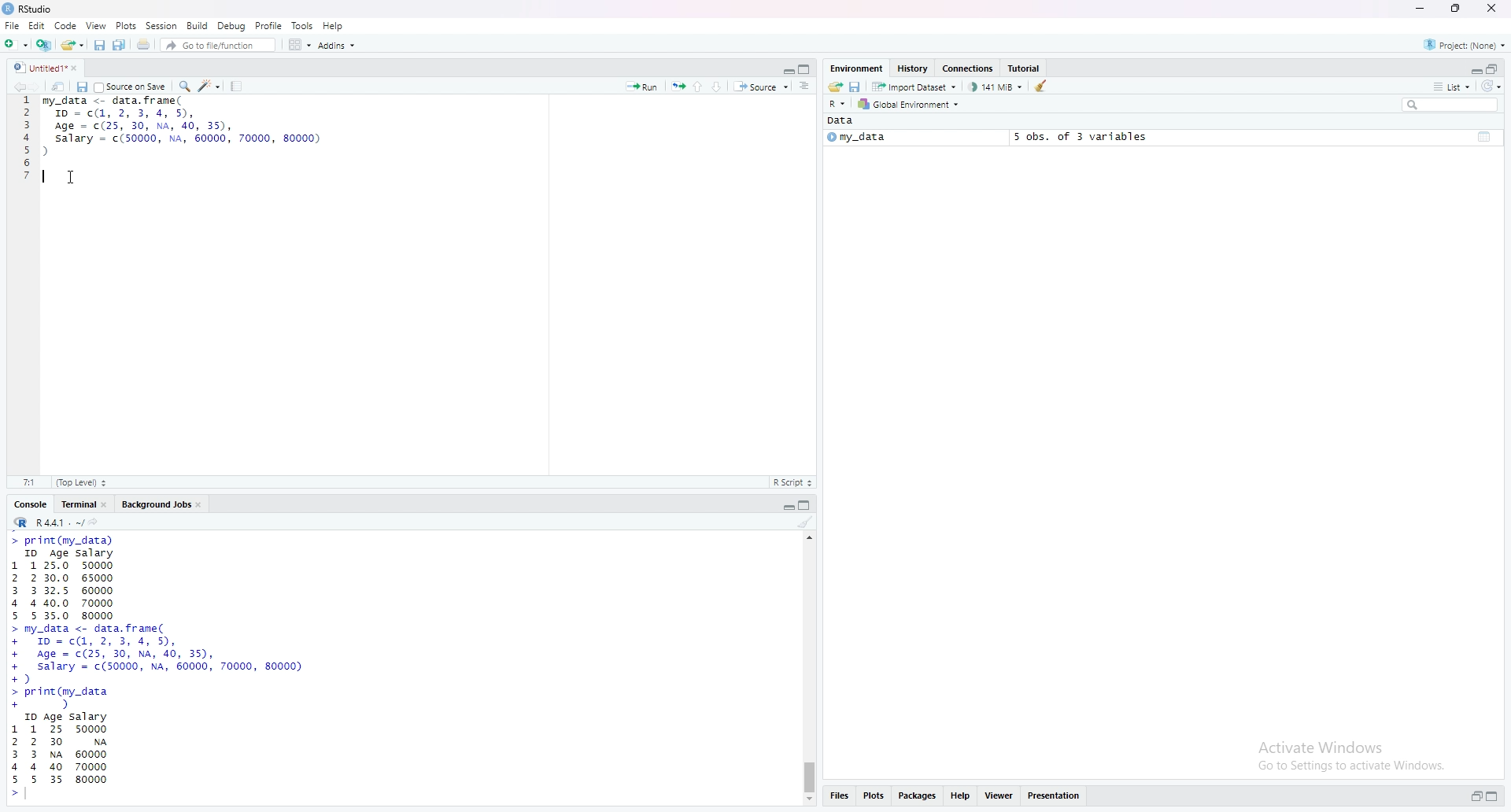  What do you see at coordinates (270, 25) in the screenshot?
I see `Profile` at bounding box center [270, 25].